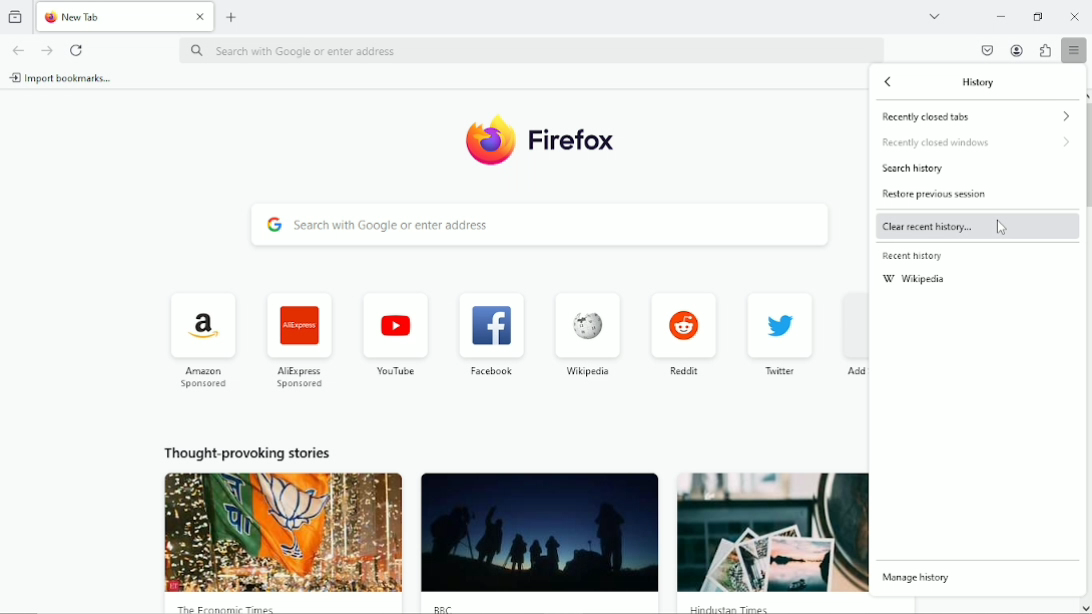  Describe the element at coordinates (529, 50) in the screenshot. I see `Search with google or enter address` at that location.